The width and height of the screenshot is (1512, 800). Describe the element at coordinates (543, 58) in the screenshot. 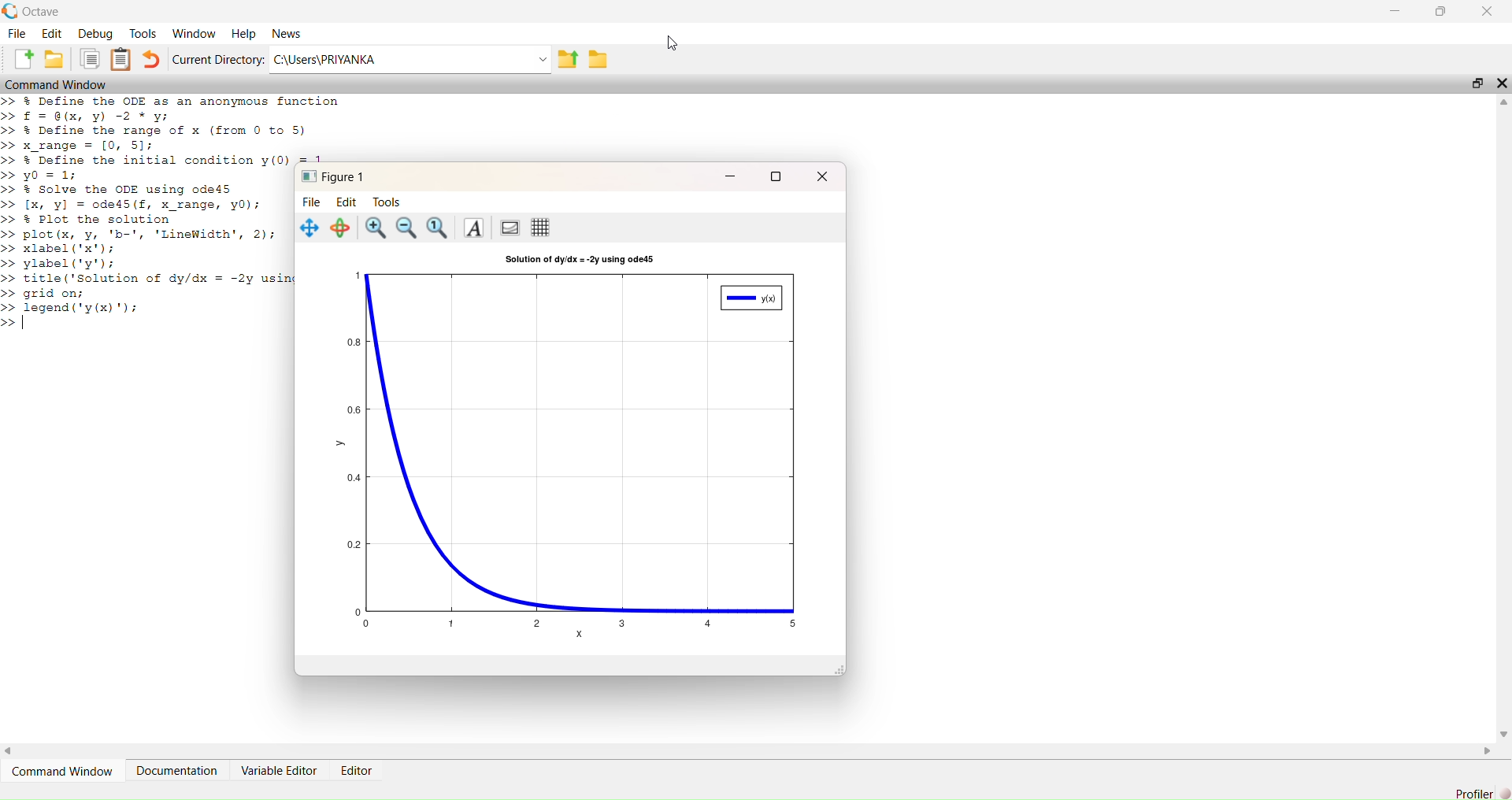

I see `Enter directory name` at that location.